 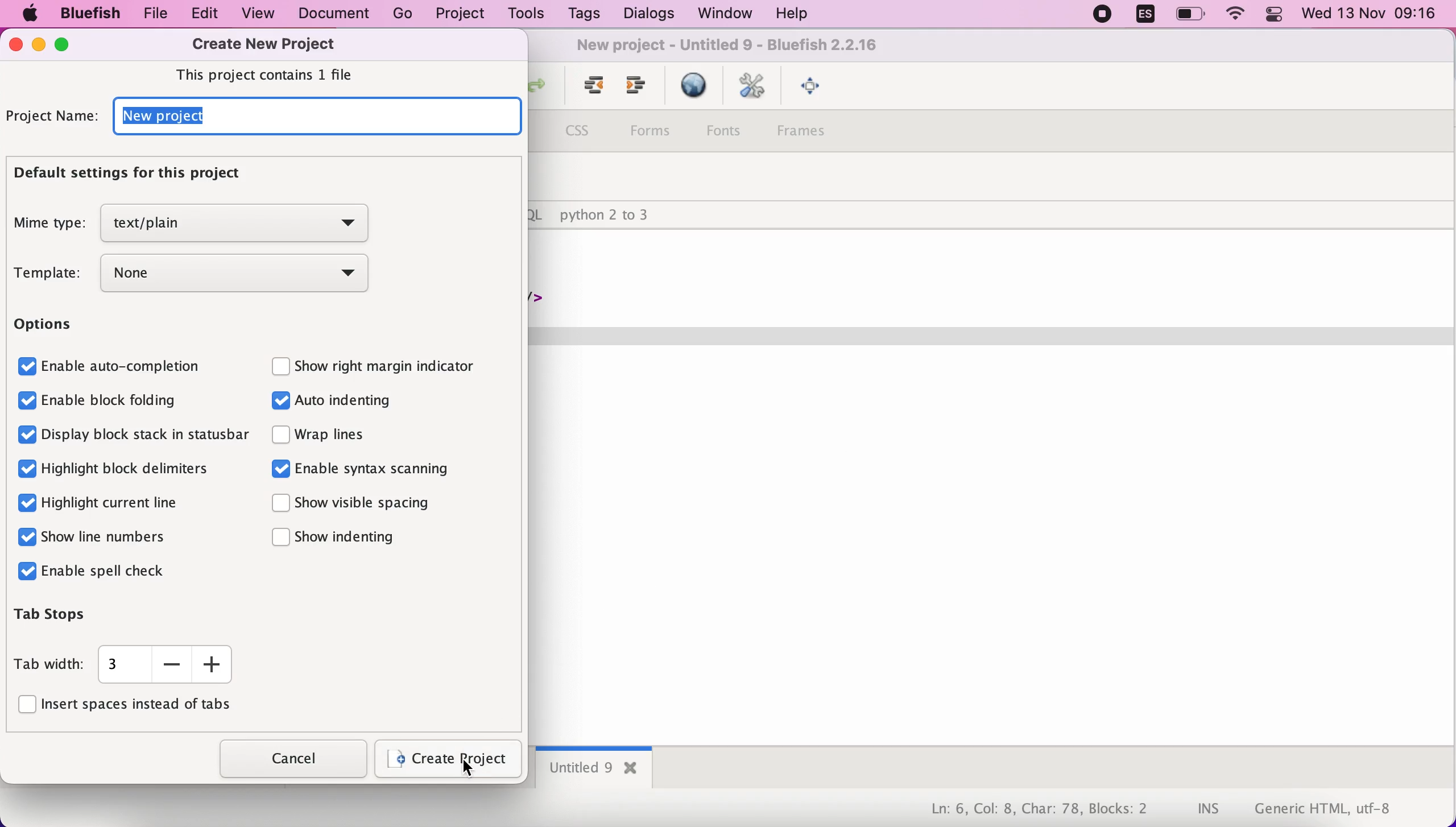 I want to click on highlight current line, so click(x=110, y=502).